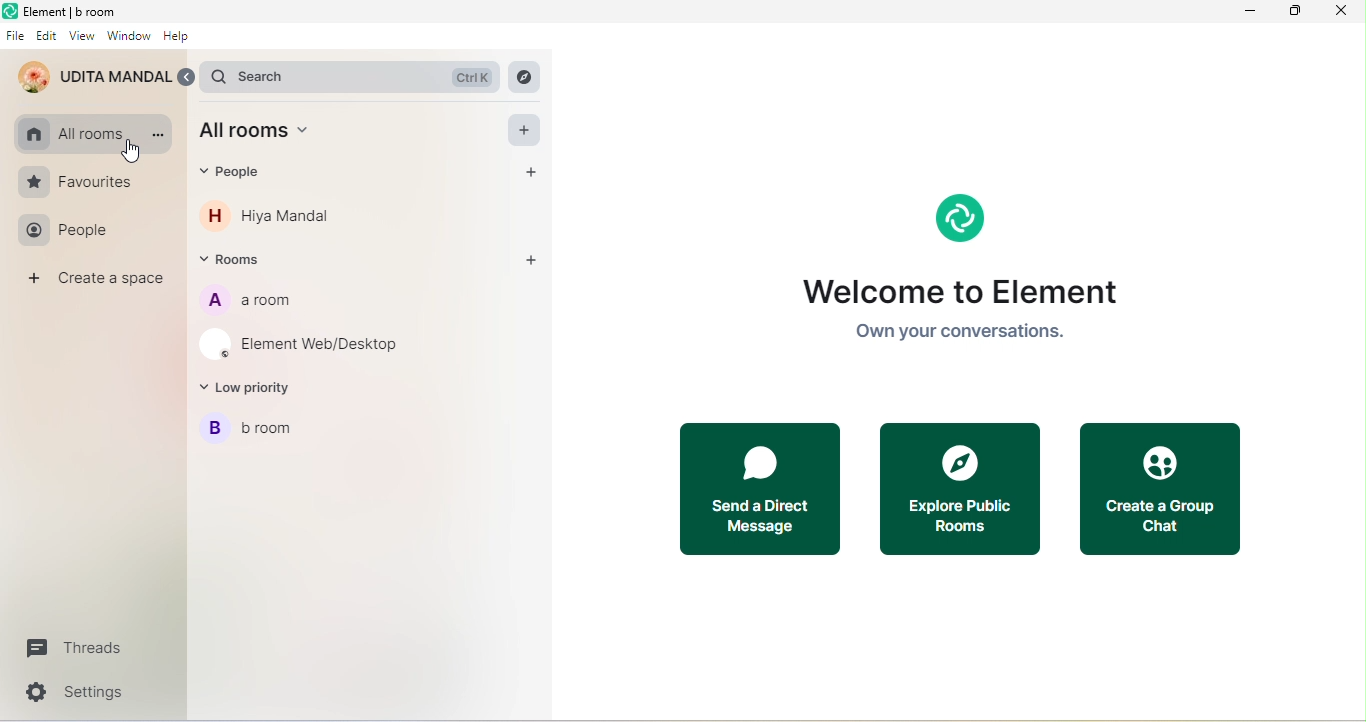 The height and width of the screenshot is (722, 1366). Describe the element at coordinates (10, 10) in the screenshot. I see `element logo ` at that location.